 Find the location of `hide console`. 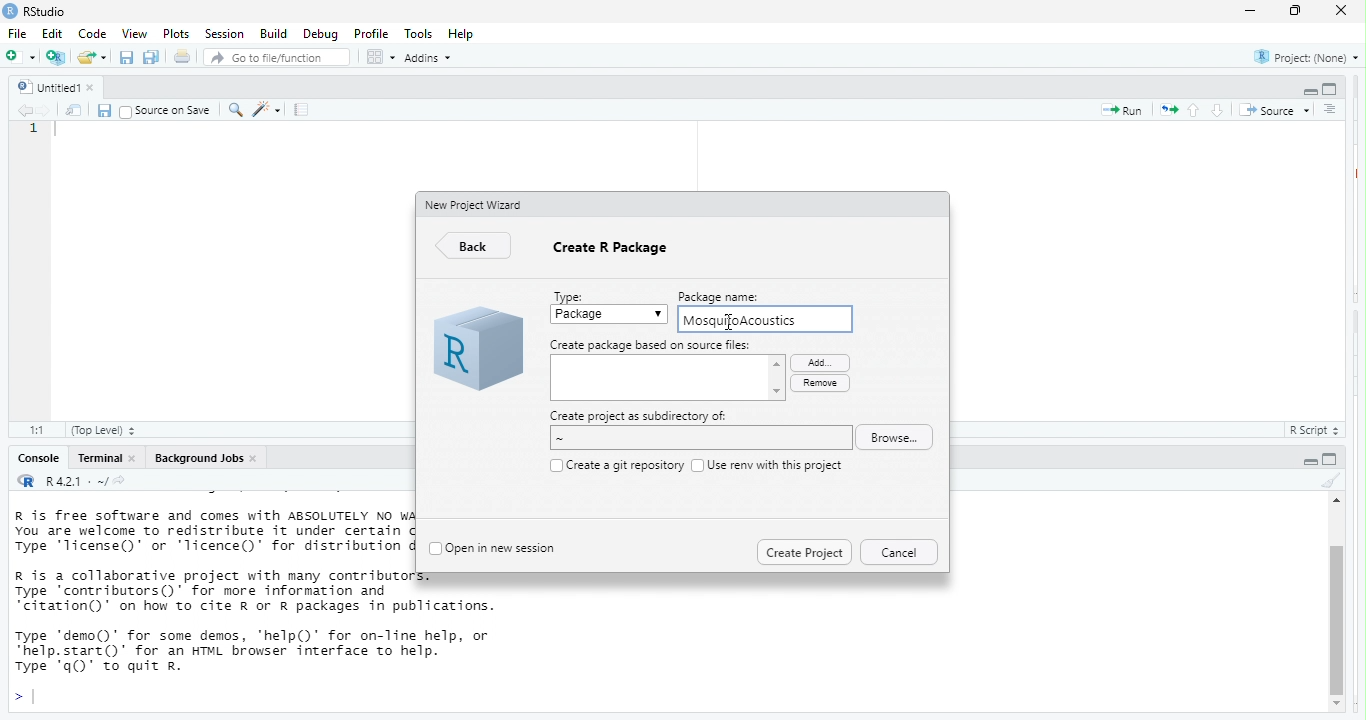

hide console is located at coordinates (1331, 88).